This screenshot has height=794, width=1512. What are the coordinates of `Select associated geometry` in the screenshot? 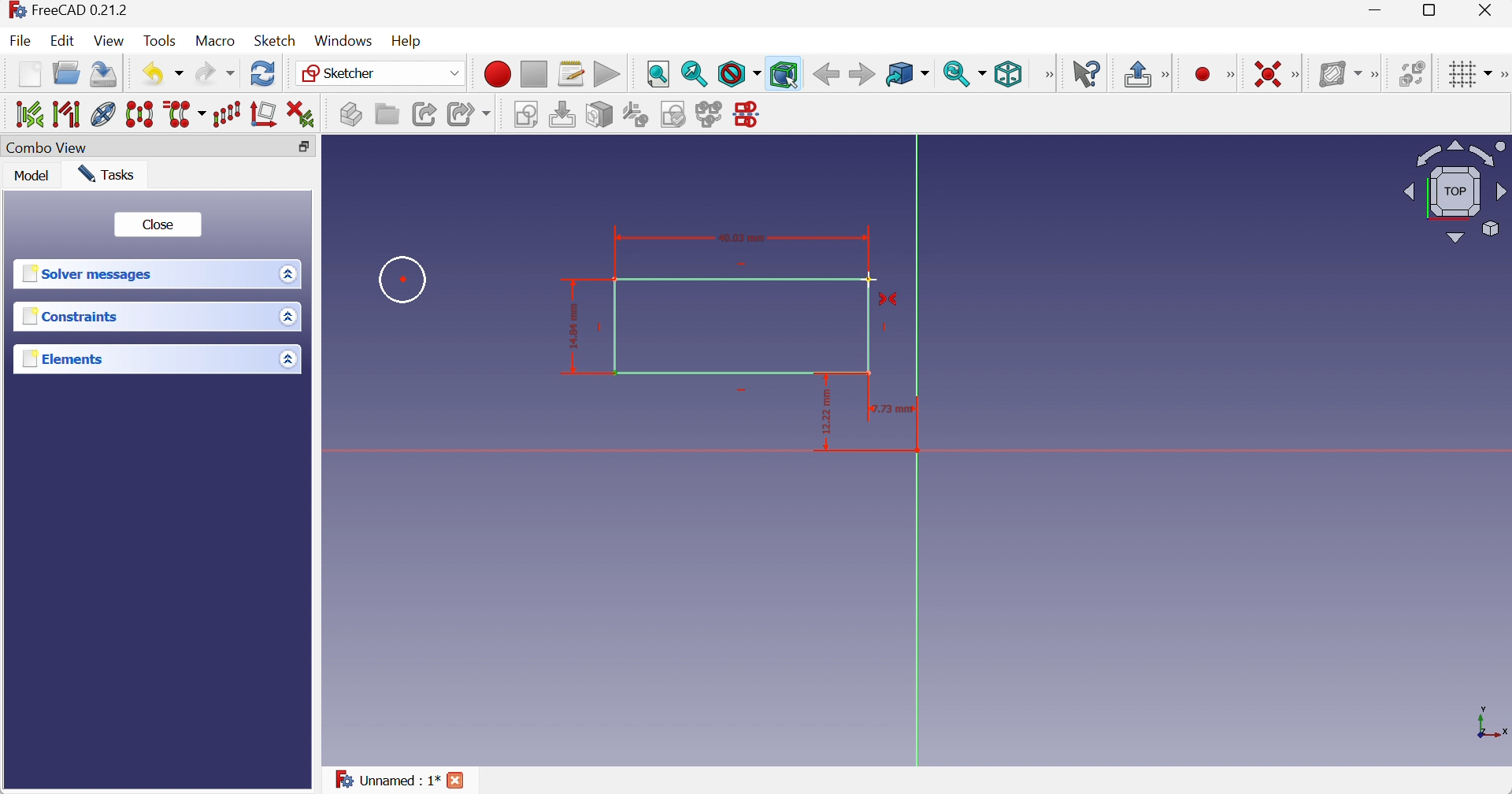 It's located at (69, 114).